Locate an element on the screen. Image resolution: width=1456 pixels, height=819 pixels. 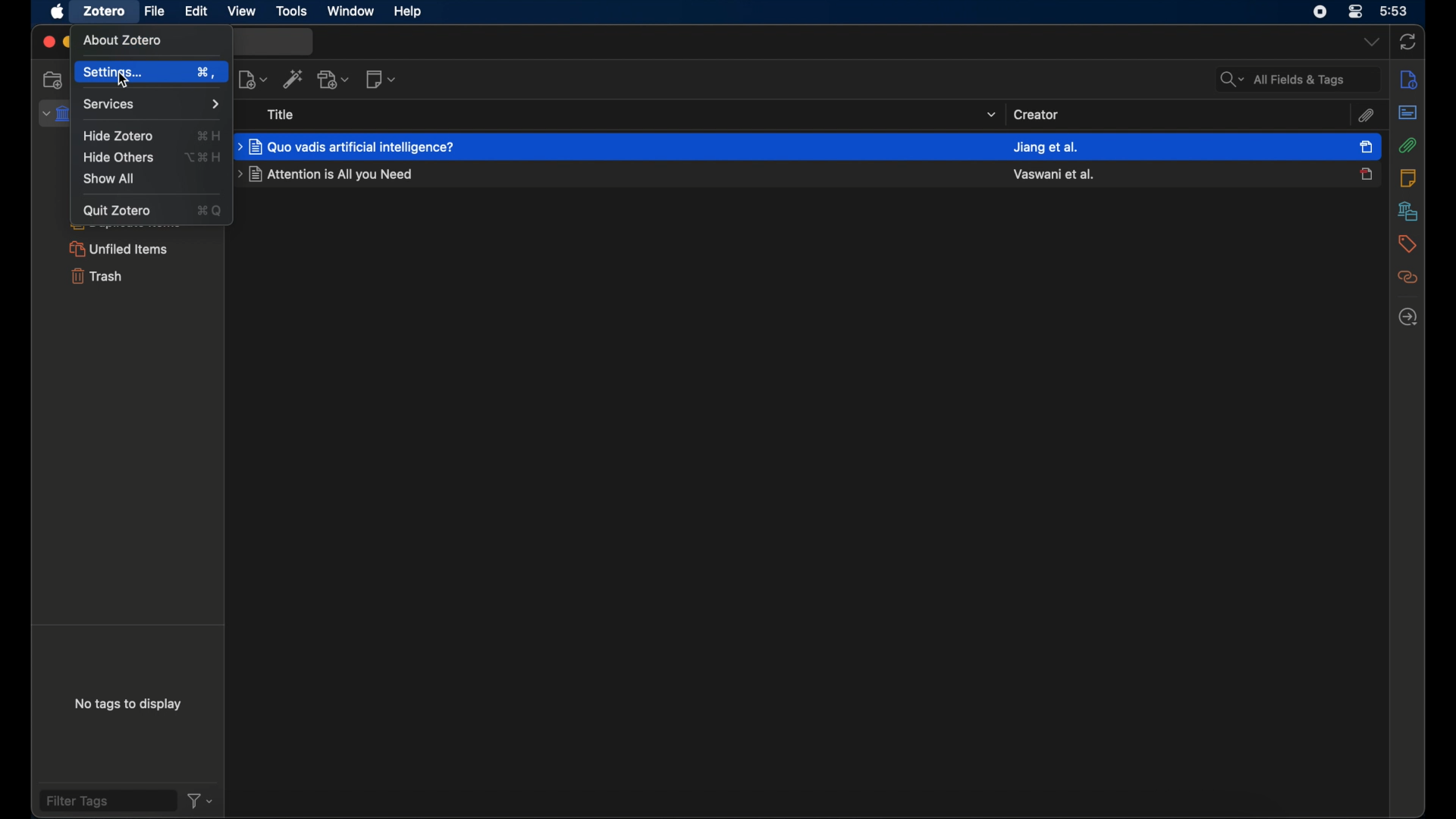
locate is located at coordinates (1408, 316).